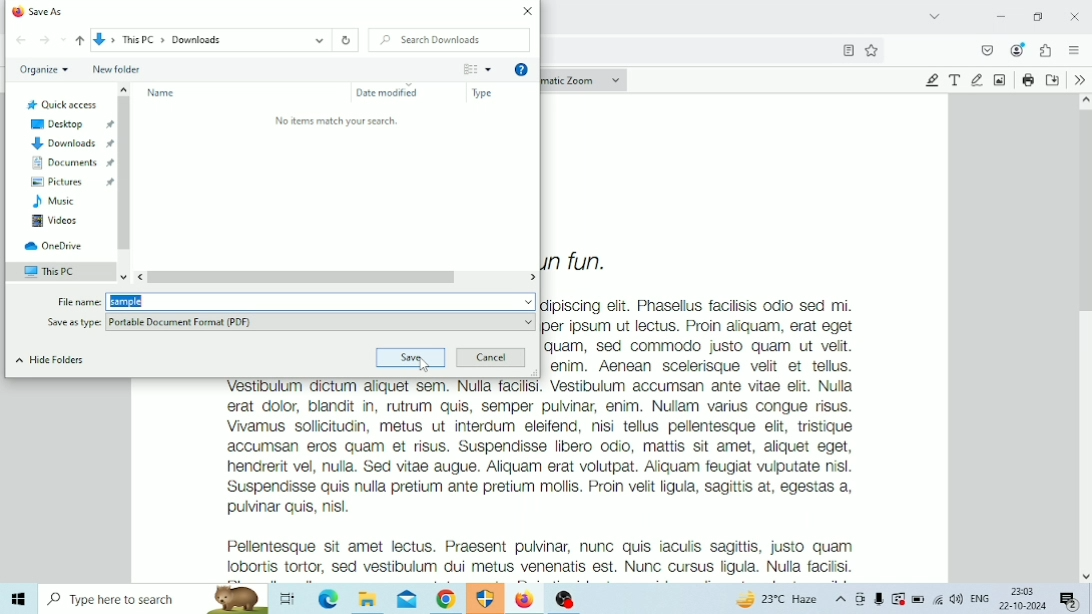 Image resolution: width=1092 pixels, height=614 pixels. Describe the element at coordinates (235, 92) in the screenshot. I see `Name` at that location.